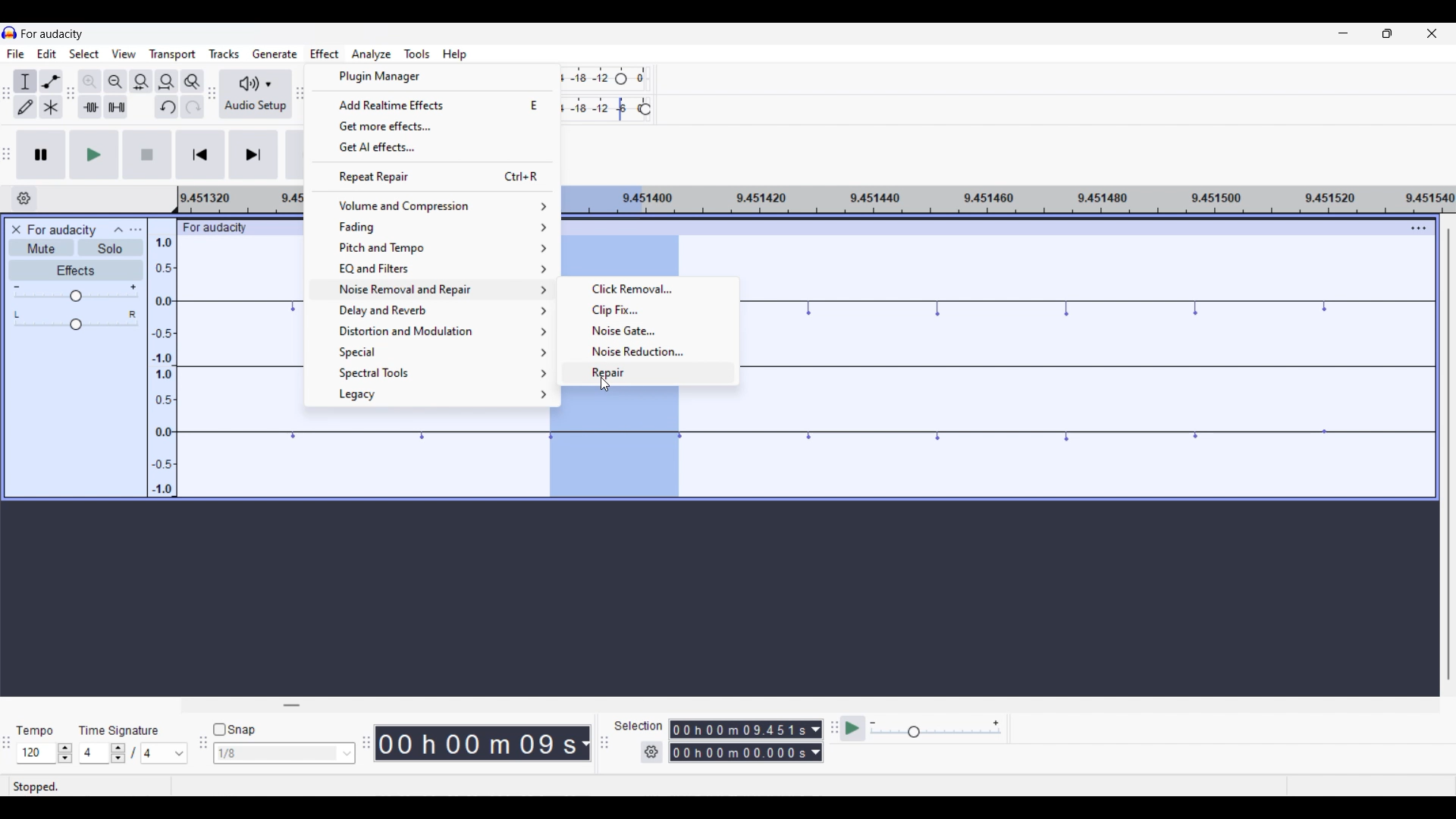  I want to click on Software logo, so click(10, 33).